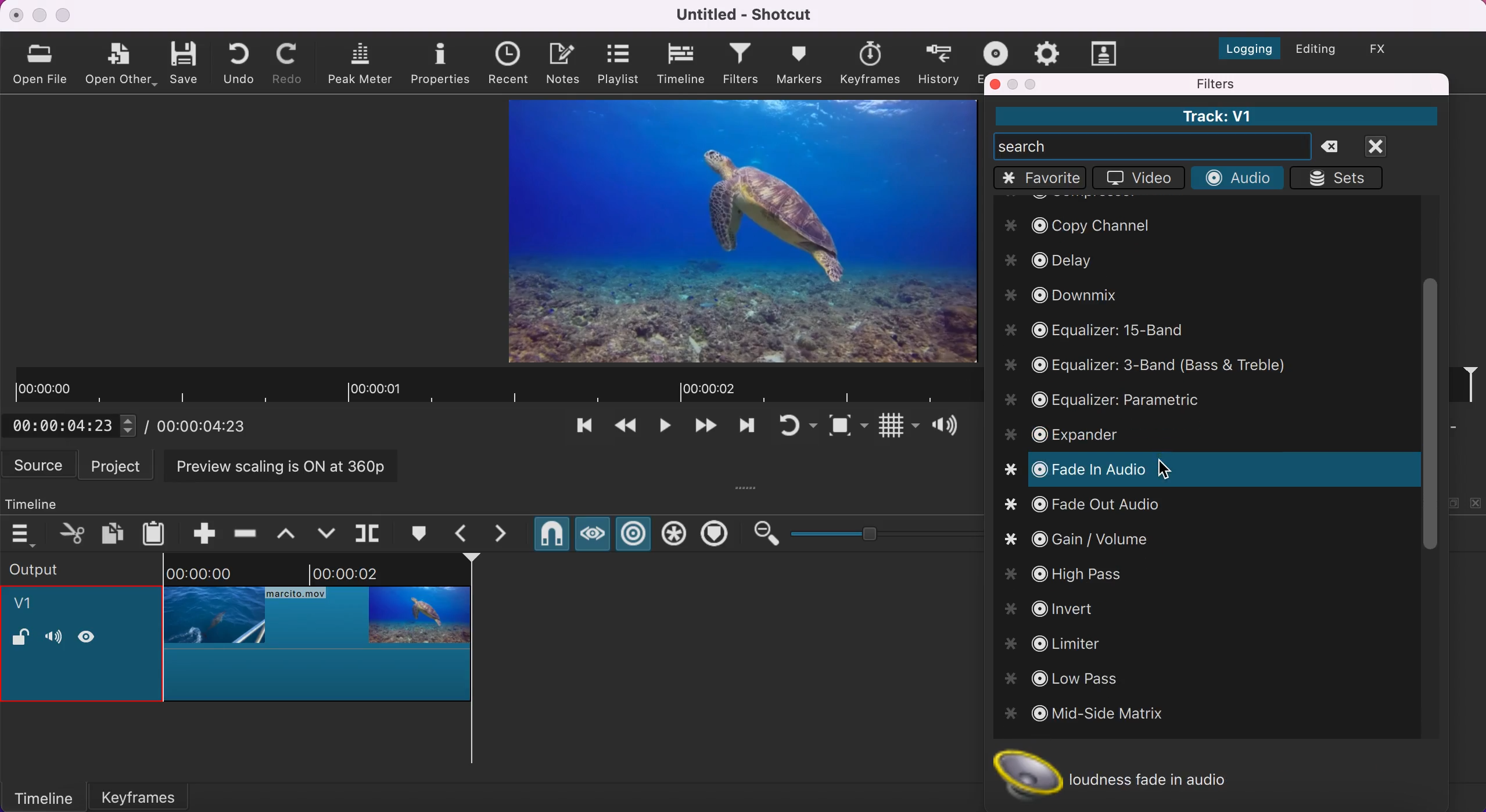  I want to click on zoom out, so click(765, 534).